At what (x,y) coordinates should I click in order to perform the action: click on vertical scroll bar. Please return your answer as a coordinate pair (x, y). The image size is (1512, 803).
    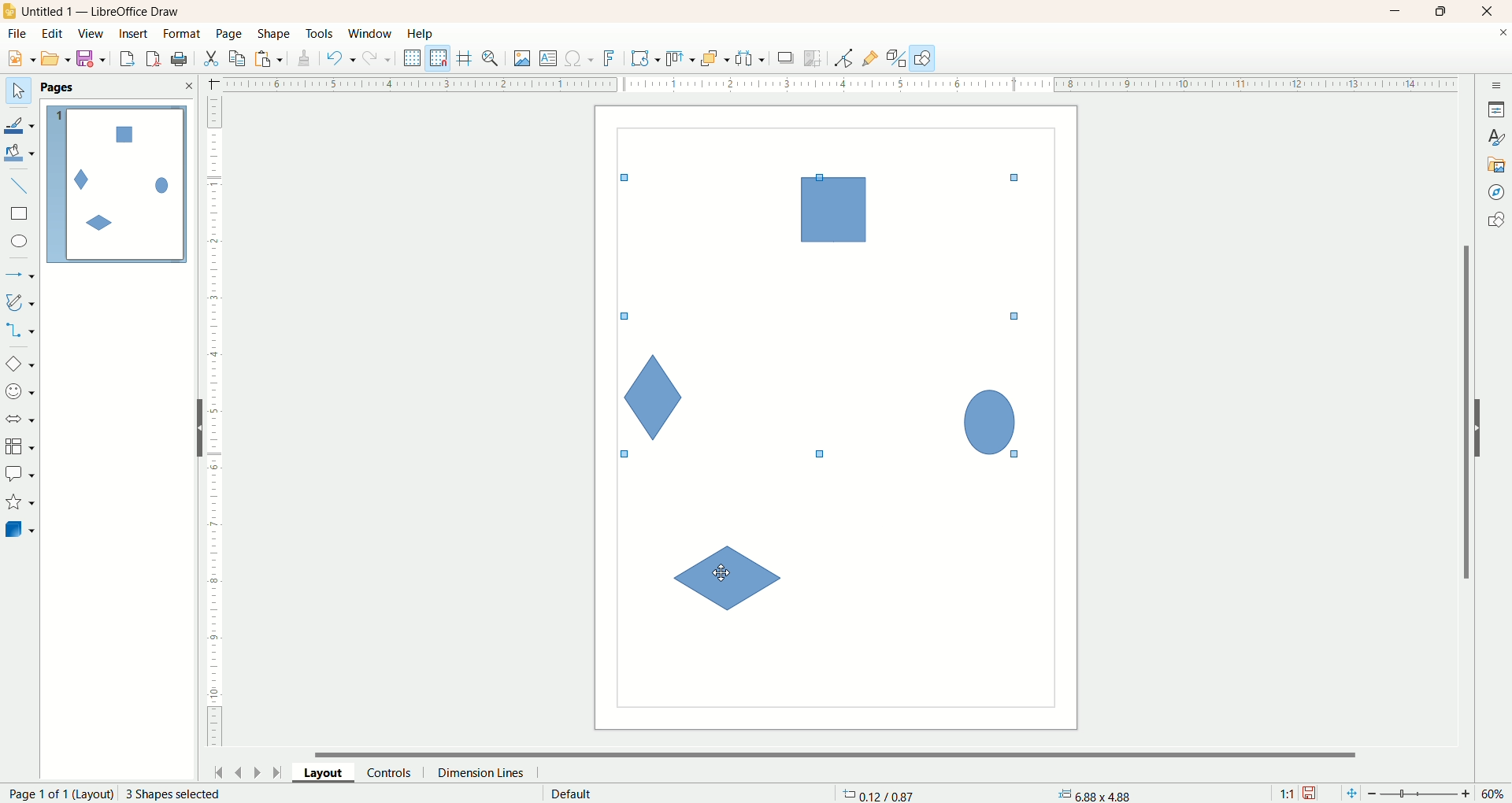
    Looking at the image, I should click on (1463, 412).